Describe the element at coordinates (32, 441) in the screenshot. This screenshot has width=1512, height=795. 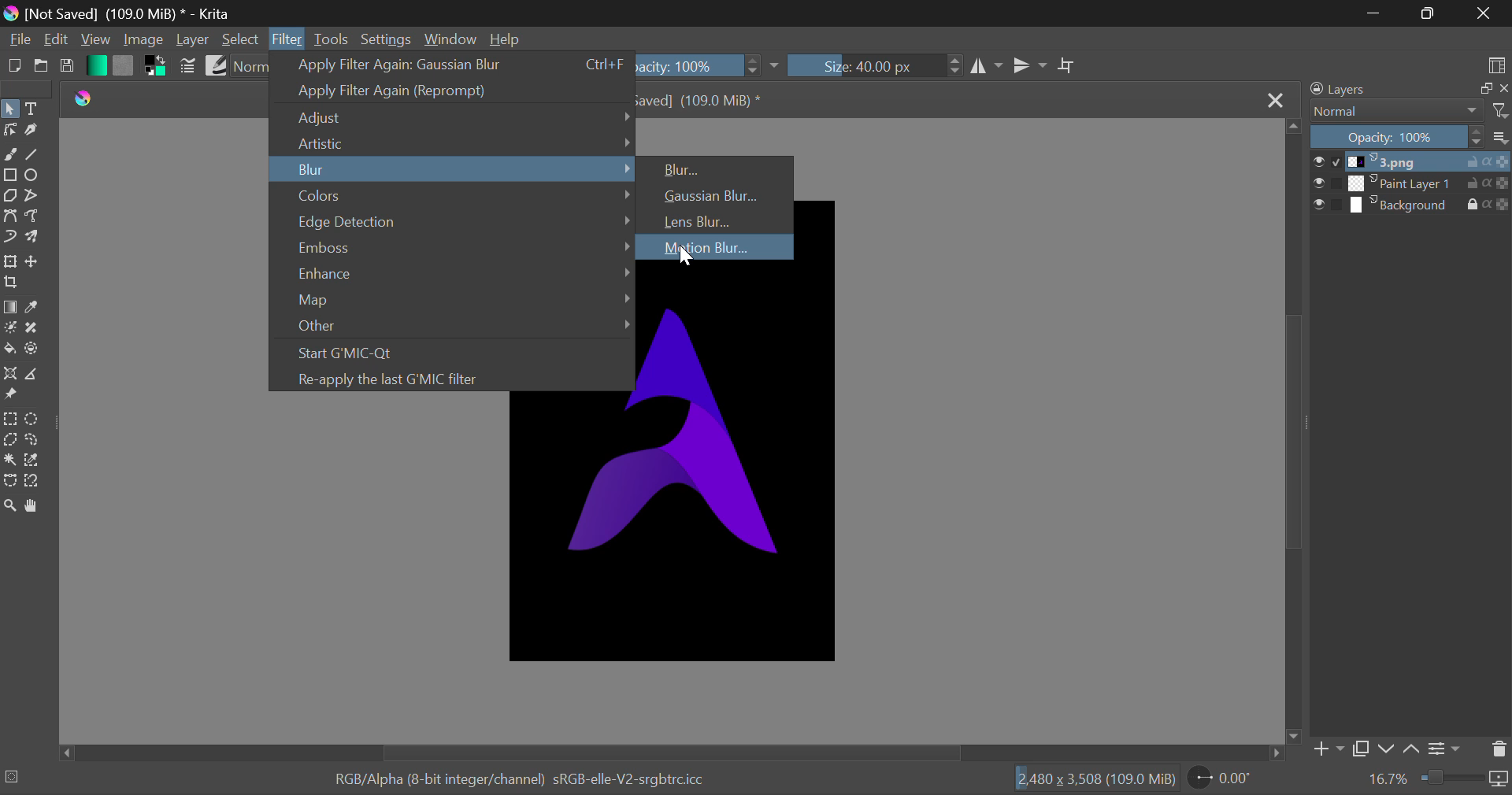
I see `Freehand Selection Tool` at that location.